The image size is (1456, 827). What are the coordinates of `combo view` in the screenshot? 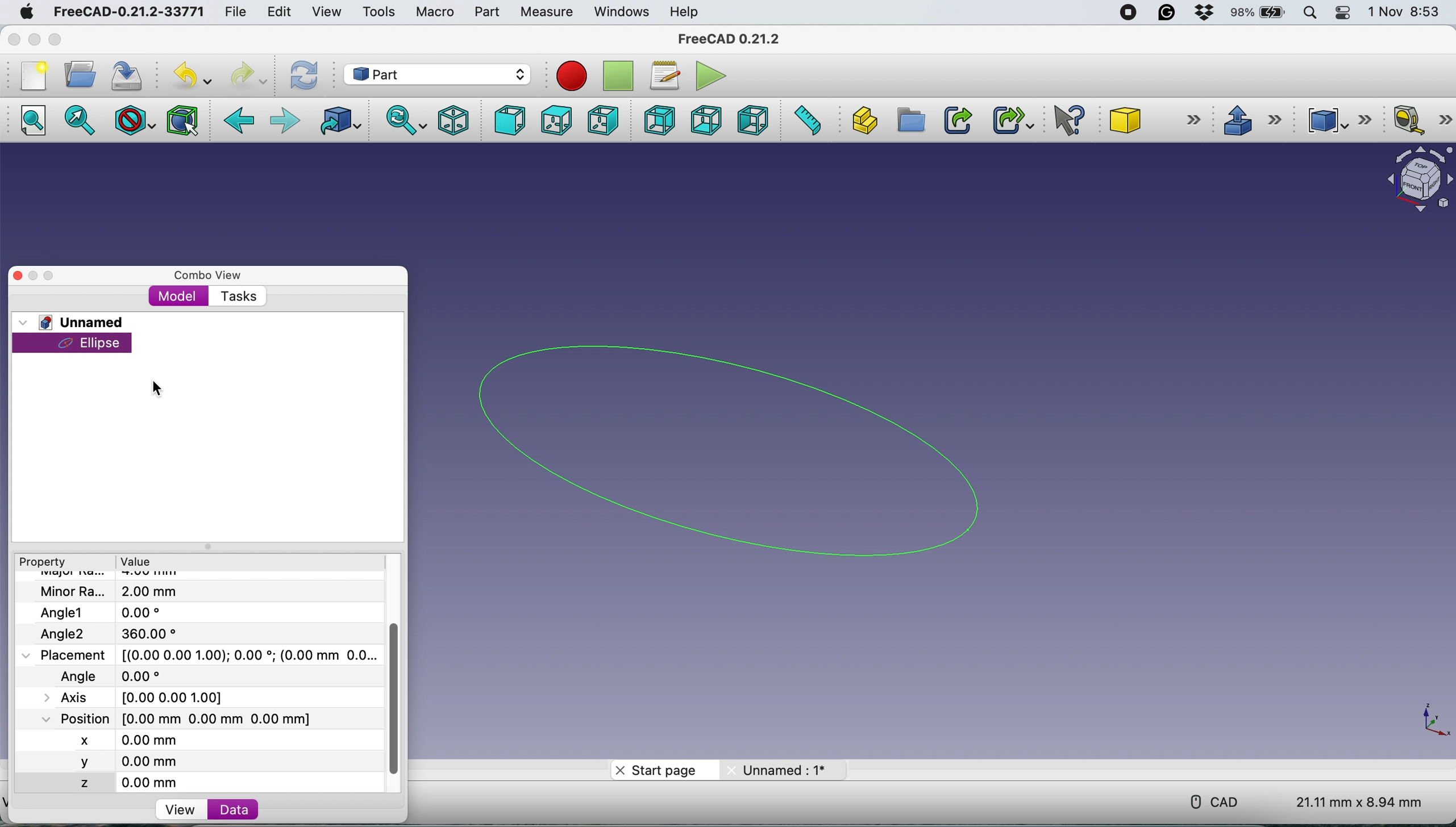 It's located at (207, 275).